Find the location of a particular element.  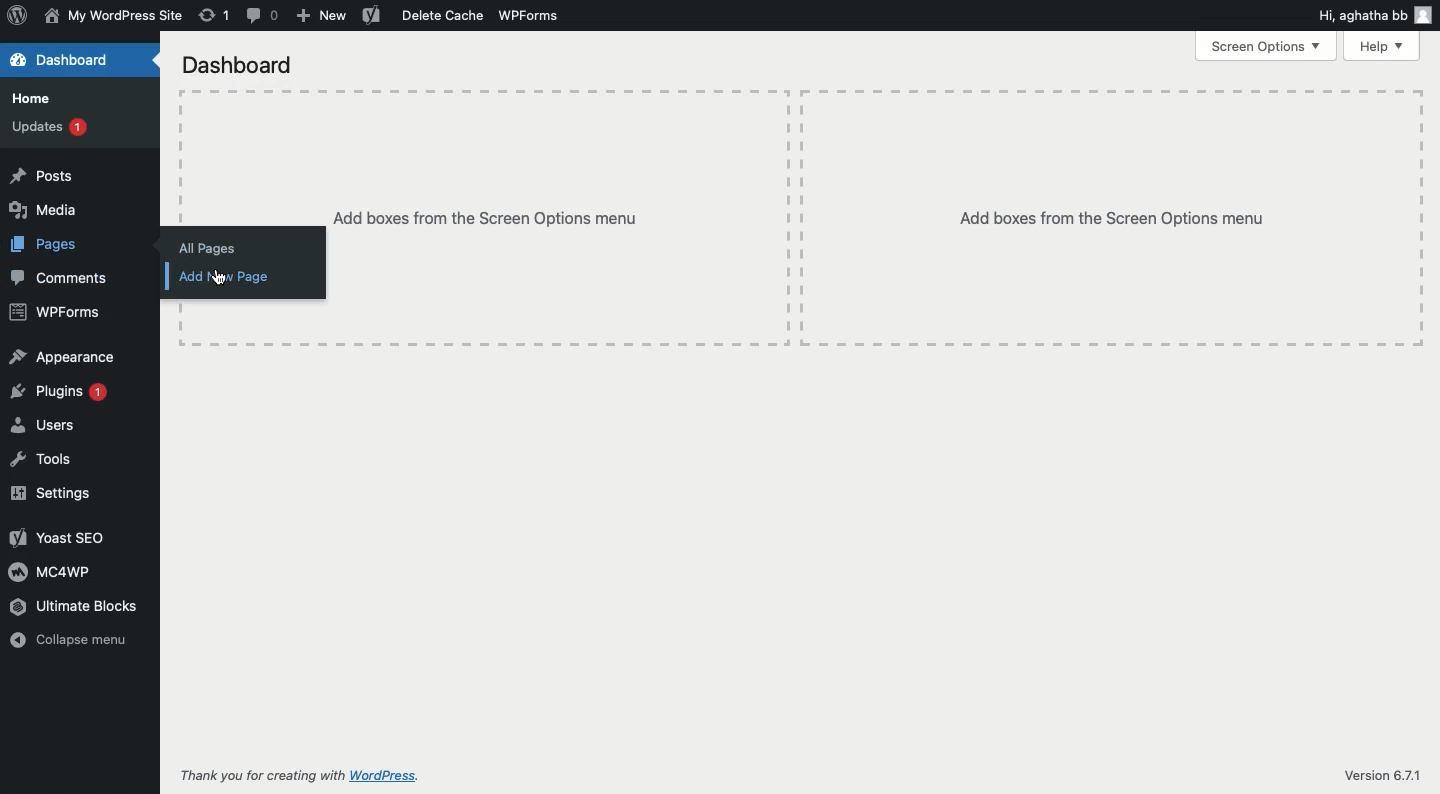

Yoast is located at coordinates (371, 14).